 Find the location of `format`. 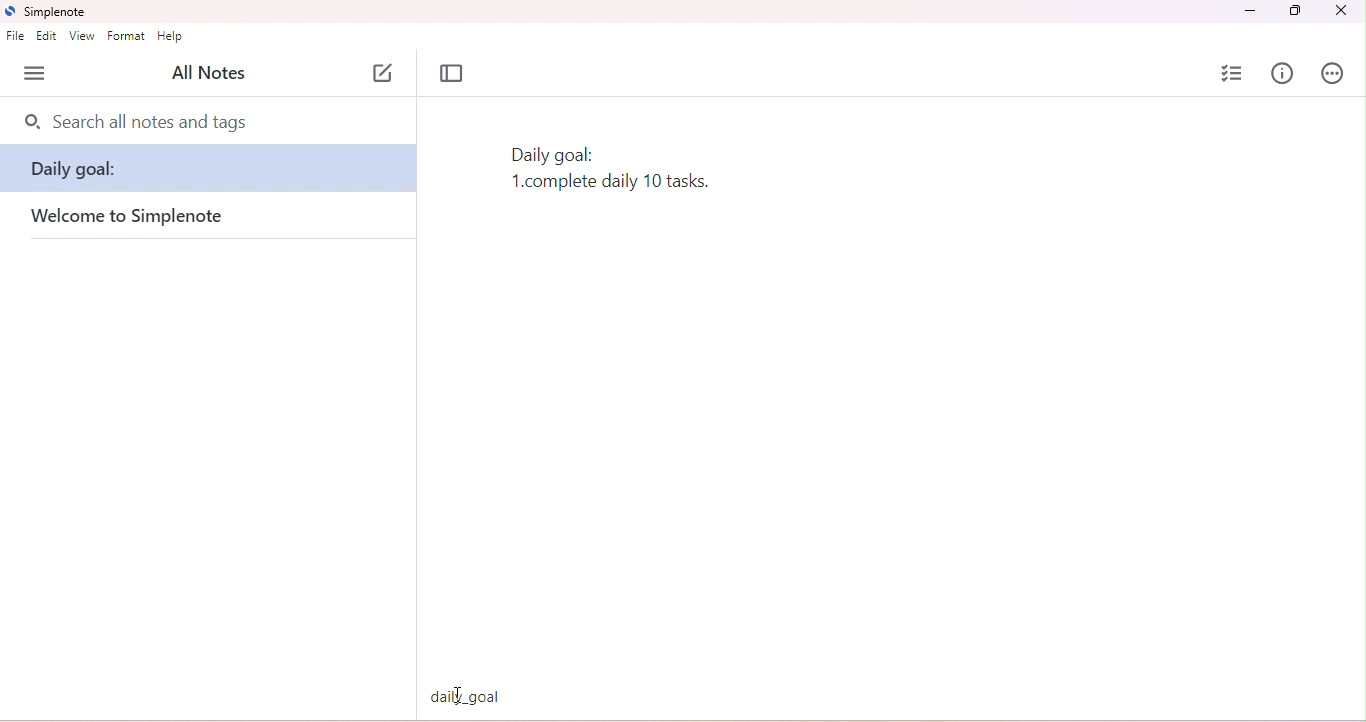

format is located at coordinates (127, 36).